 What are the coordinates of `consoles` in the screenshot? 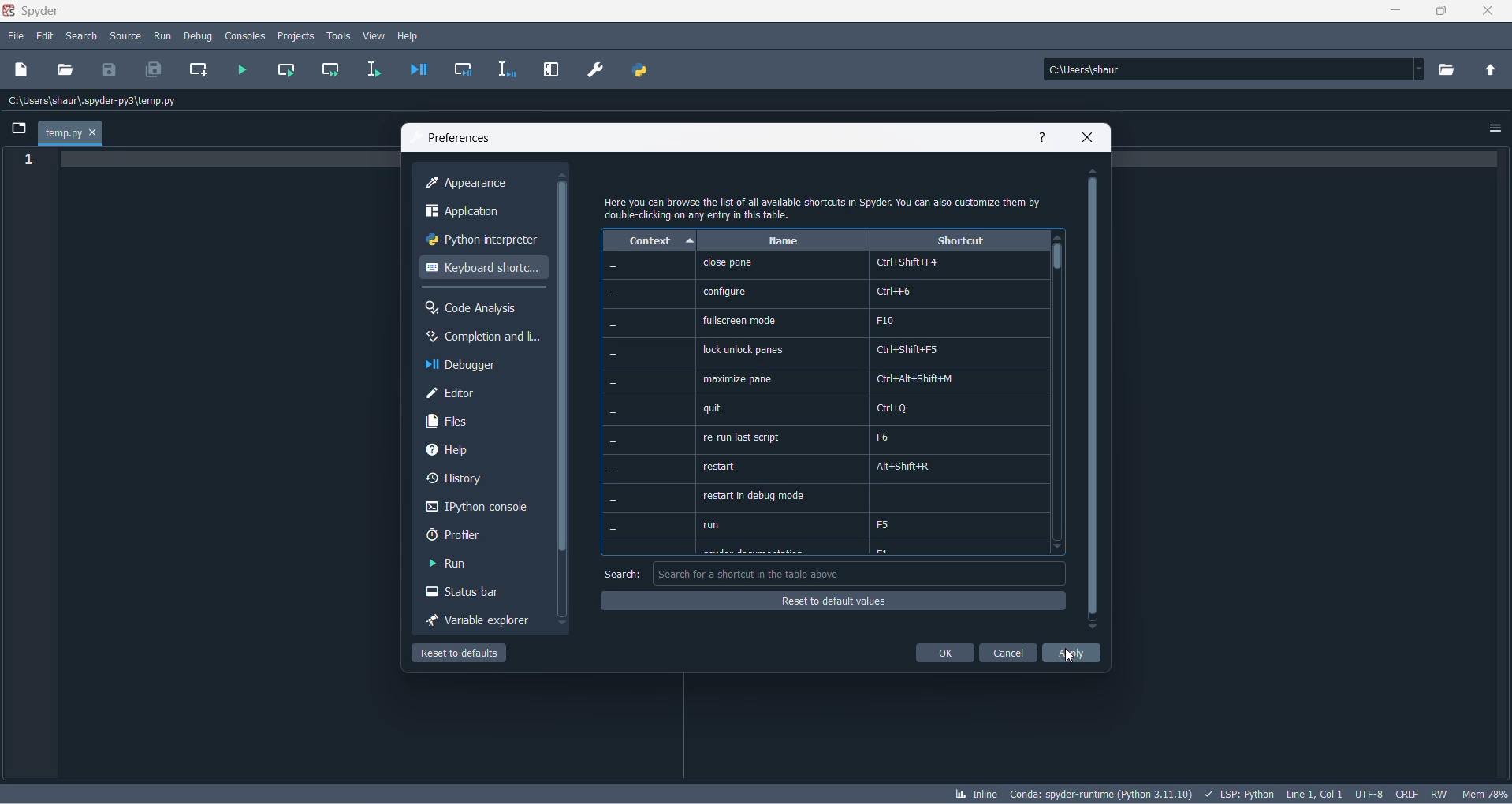 It's located at (245, 35).